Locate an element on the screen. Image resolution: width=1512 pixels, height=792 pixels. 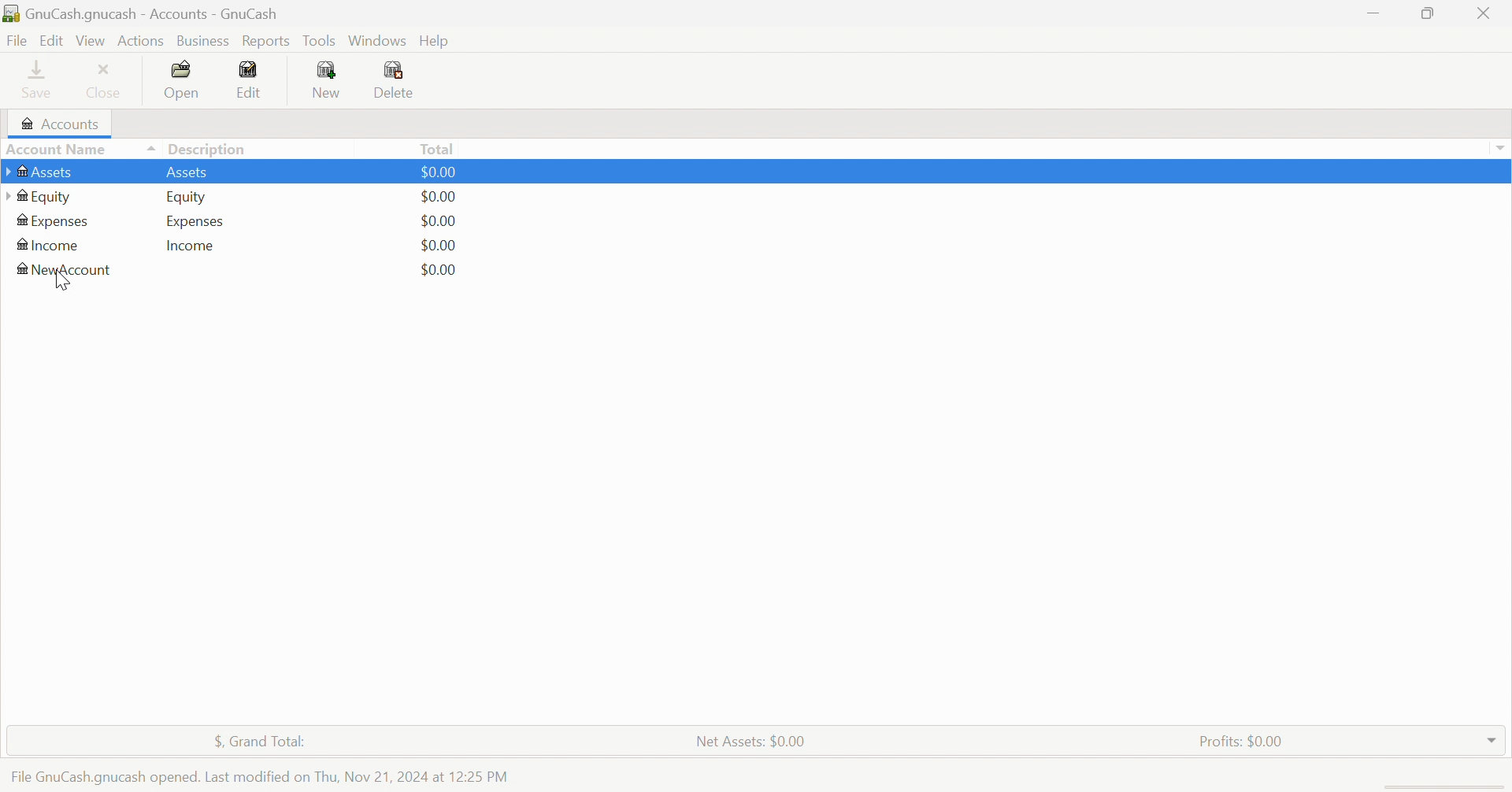
Income is located at coordinates (192, 246).